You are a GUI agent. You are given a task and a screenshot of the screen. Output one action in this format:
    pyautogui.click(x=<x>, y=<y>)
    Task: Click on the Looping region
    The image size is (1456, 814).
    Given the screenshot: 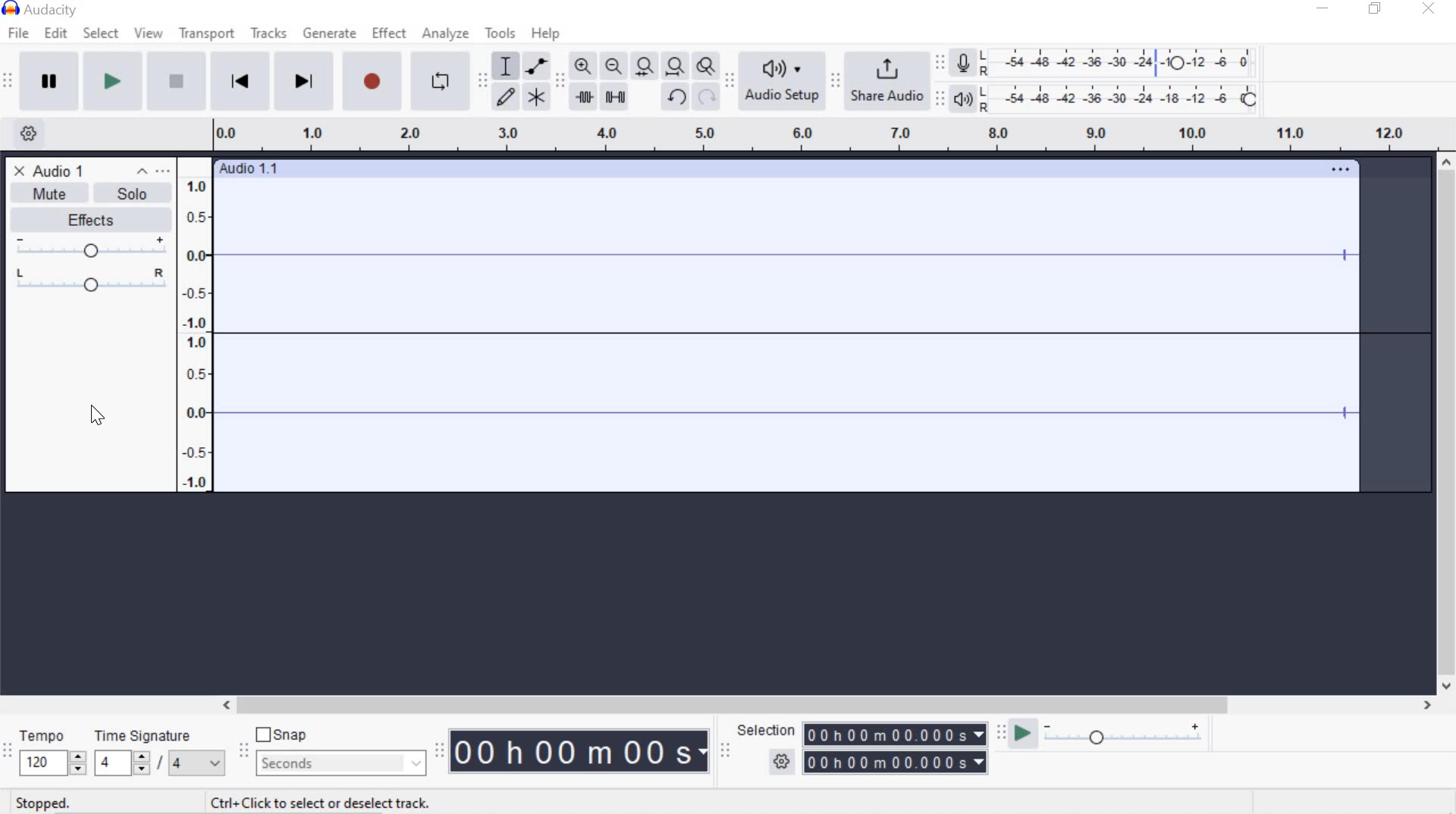 What is the action you would take?
    pyautogui.click(x=831, y=135)
    